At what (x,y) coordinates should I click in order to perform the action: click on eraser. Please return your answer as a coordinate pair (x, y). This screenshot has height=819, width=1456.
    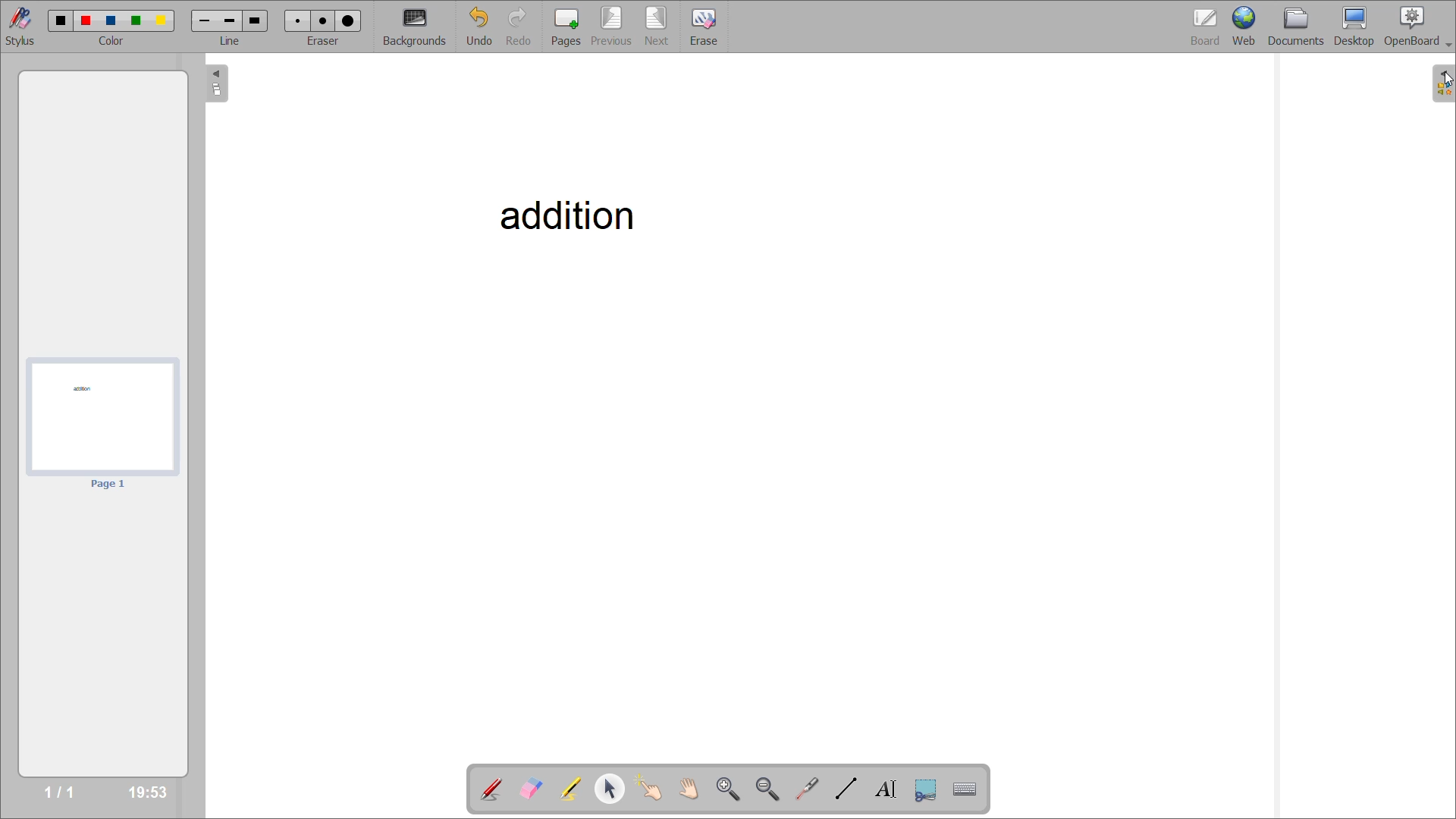
    Looking at the image, I should click on (322, 38).